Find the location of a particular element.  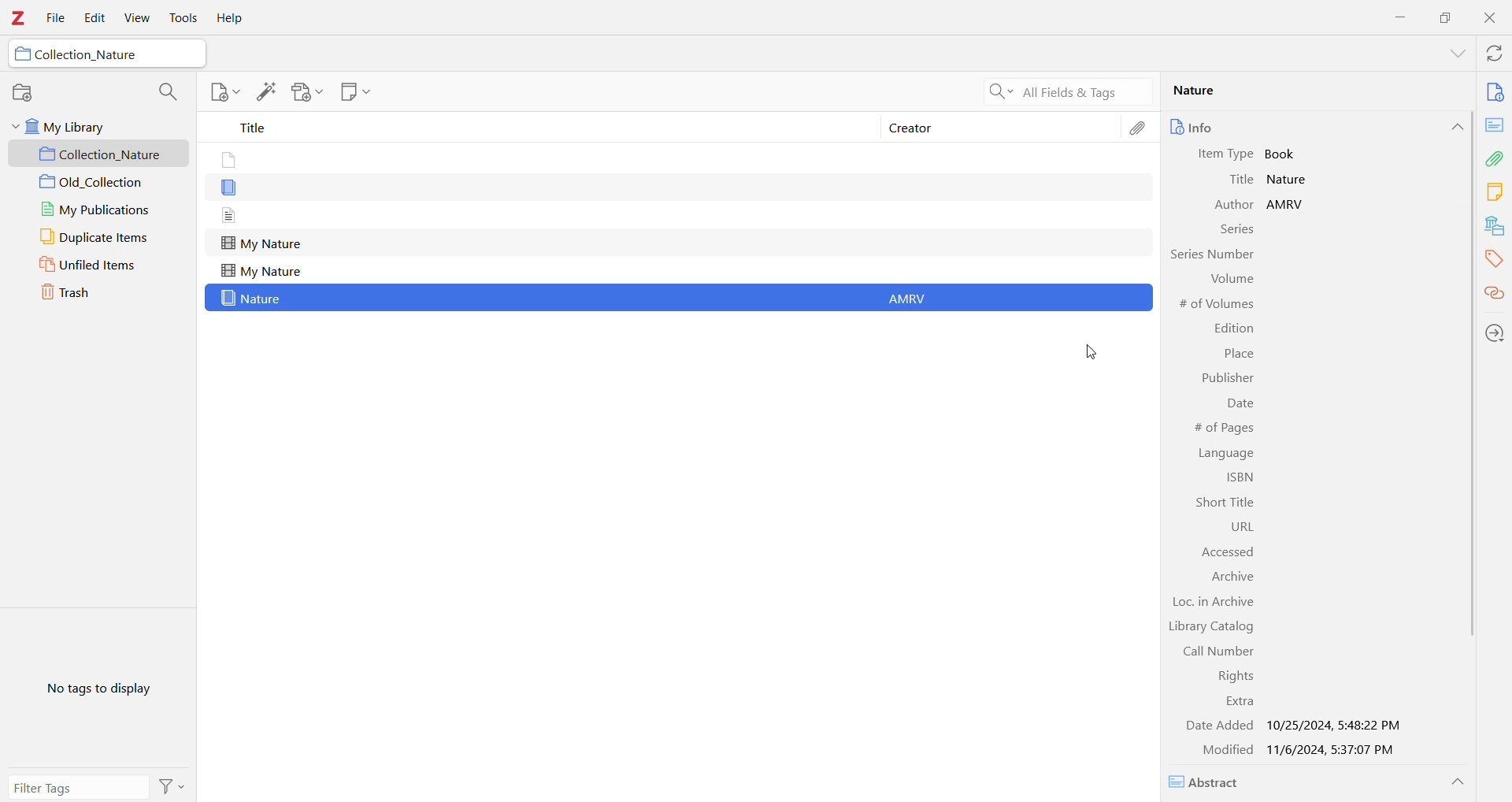

folder icon is located at coordinates (23, 54).